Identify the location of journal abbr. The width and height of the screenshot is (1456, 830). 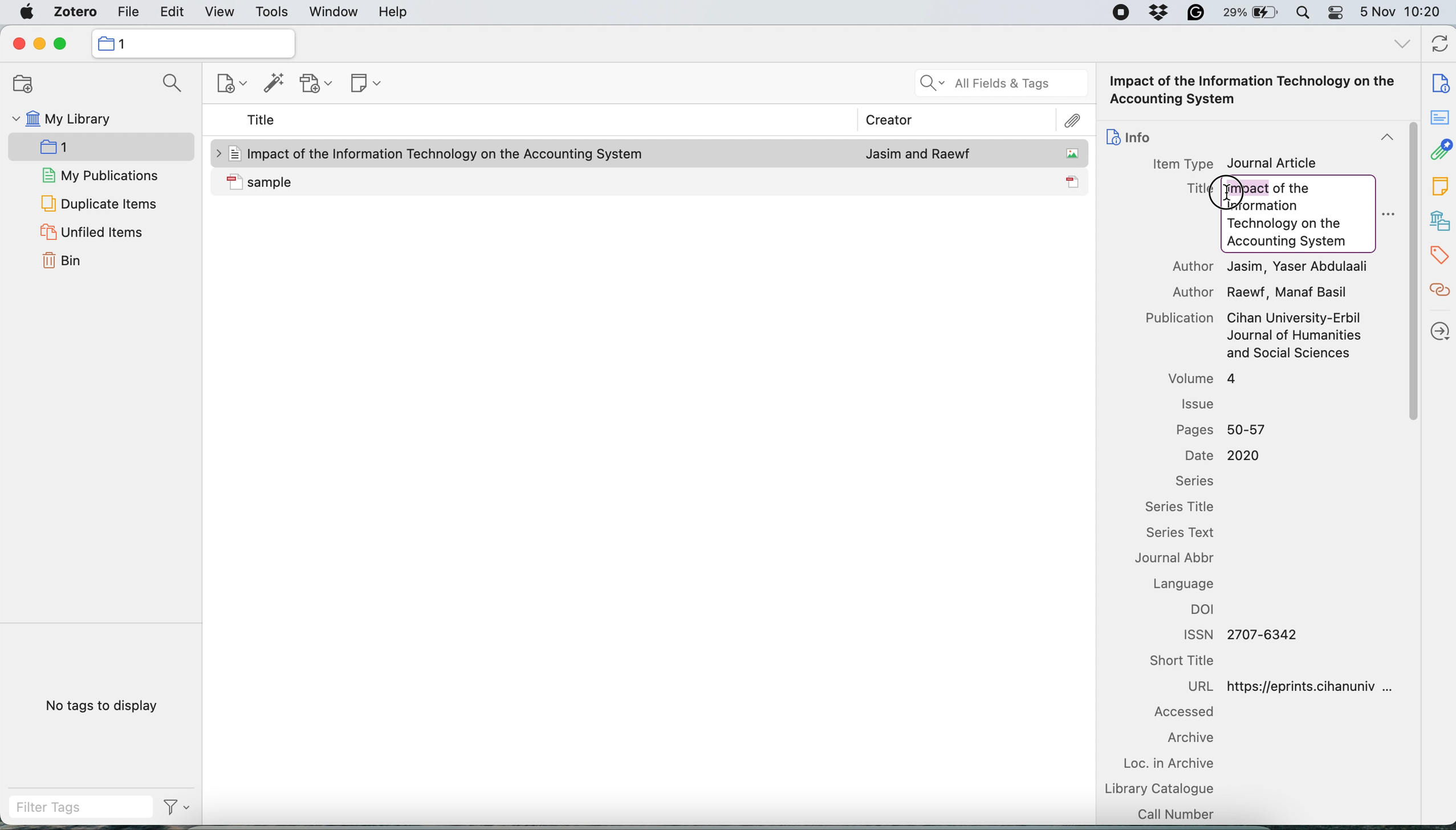
(1181, 558).